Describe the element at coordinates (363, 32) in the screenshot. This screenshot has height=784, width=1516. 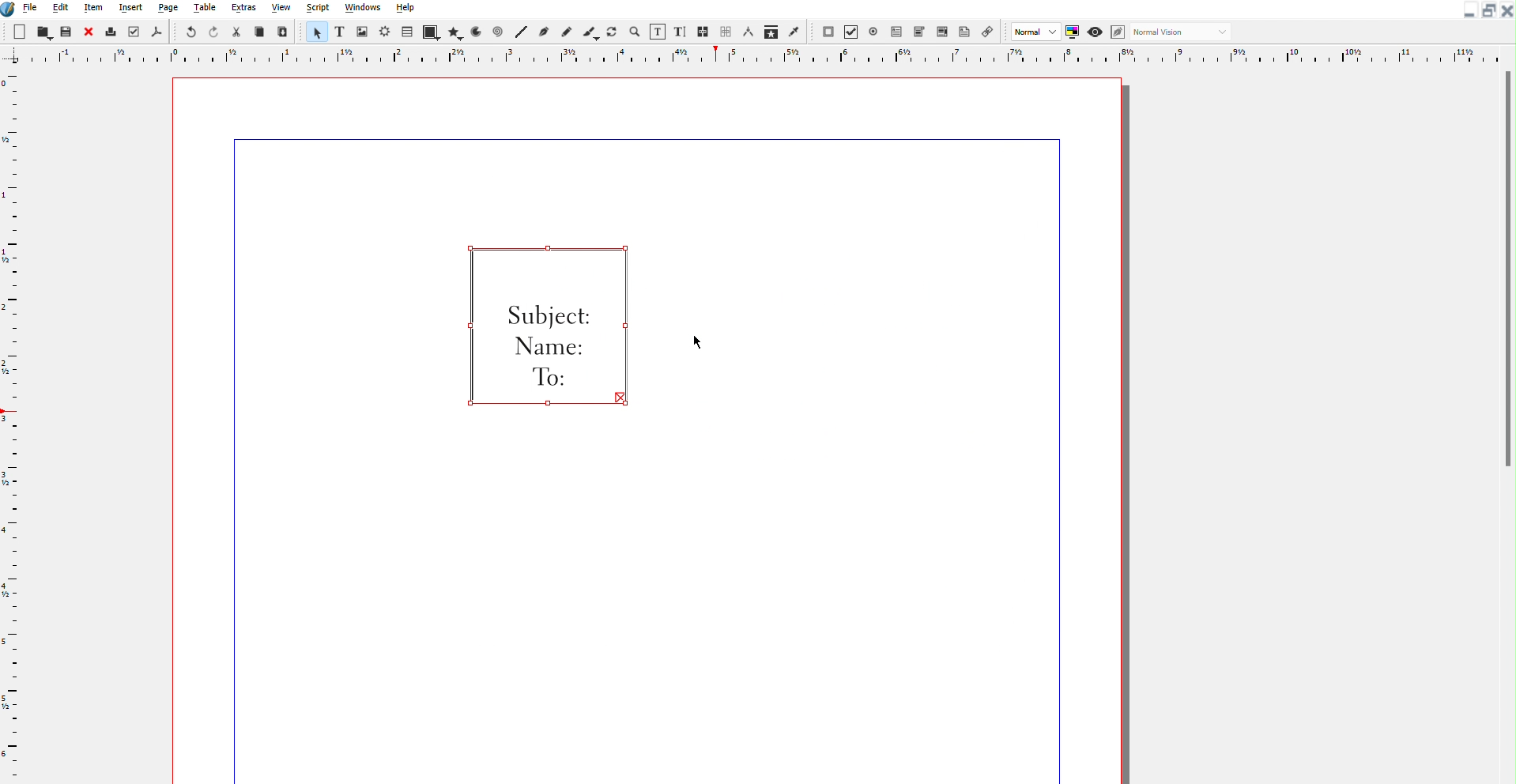
I see `Image` at that location.